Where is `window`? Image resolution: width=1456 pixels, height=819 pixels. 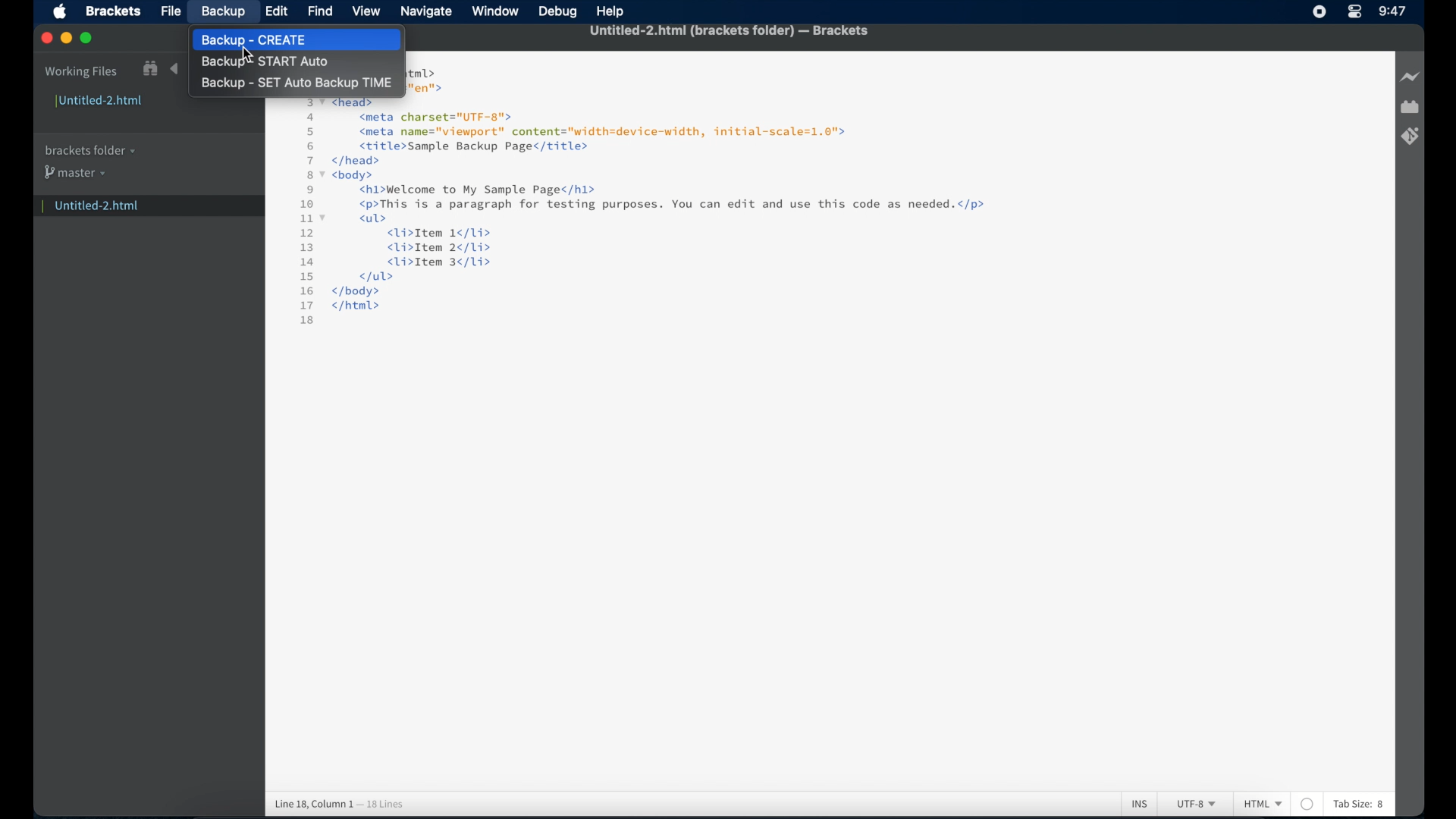 window is located at coordinates (495, 11).